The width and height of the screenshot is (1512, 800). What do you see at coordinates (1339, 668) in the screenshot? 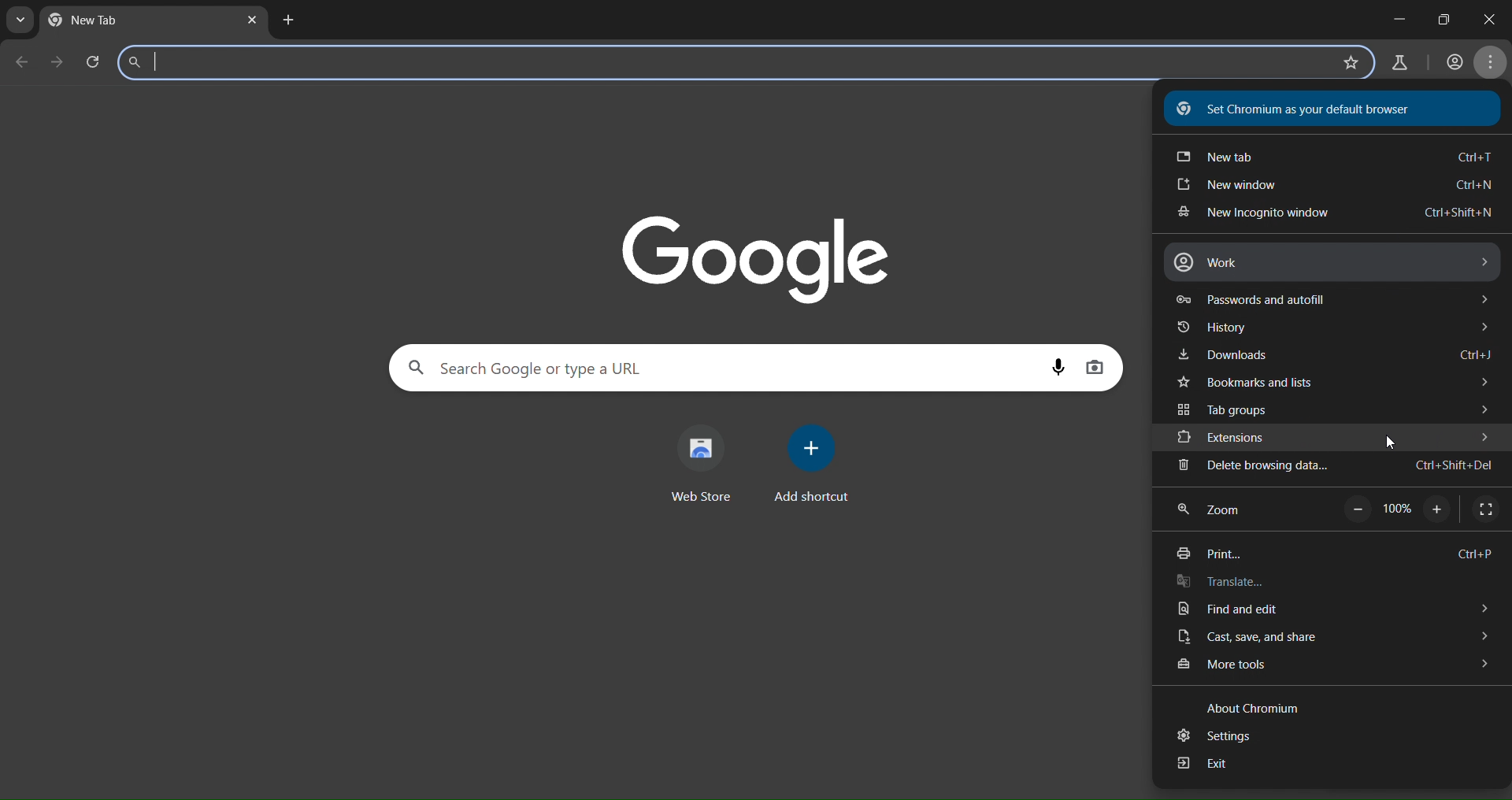
I see `more tools` at bounding box center [1339, 668].